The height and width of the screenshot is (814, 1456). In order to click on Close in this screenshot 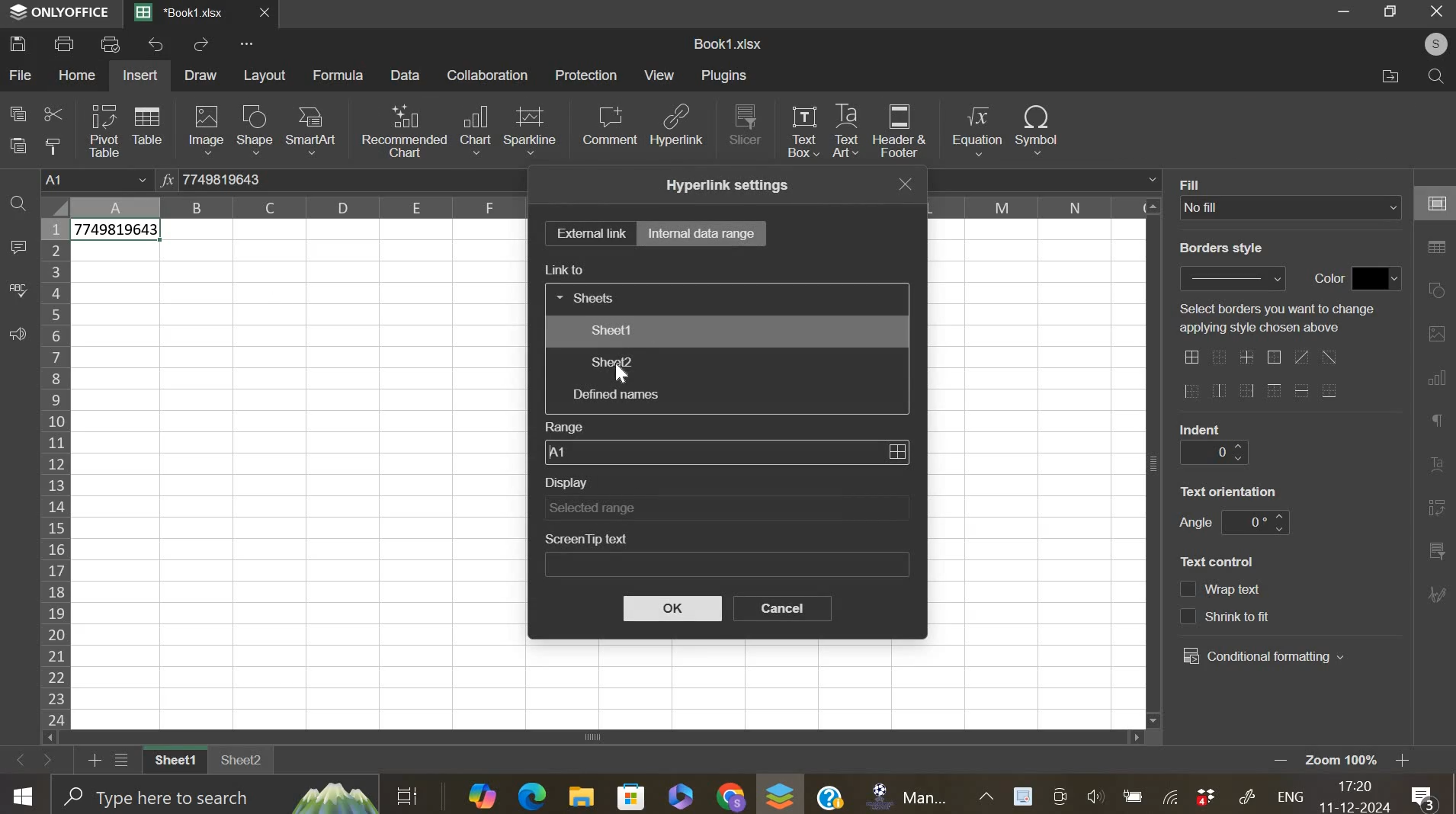, I will do `click(1437, 12)`.